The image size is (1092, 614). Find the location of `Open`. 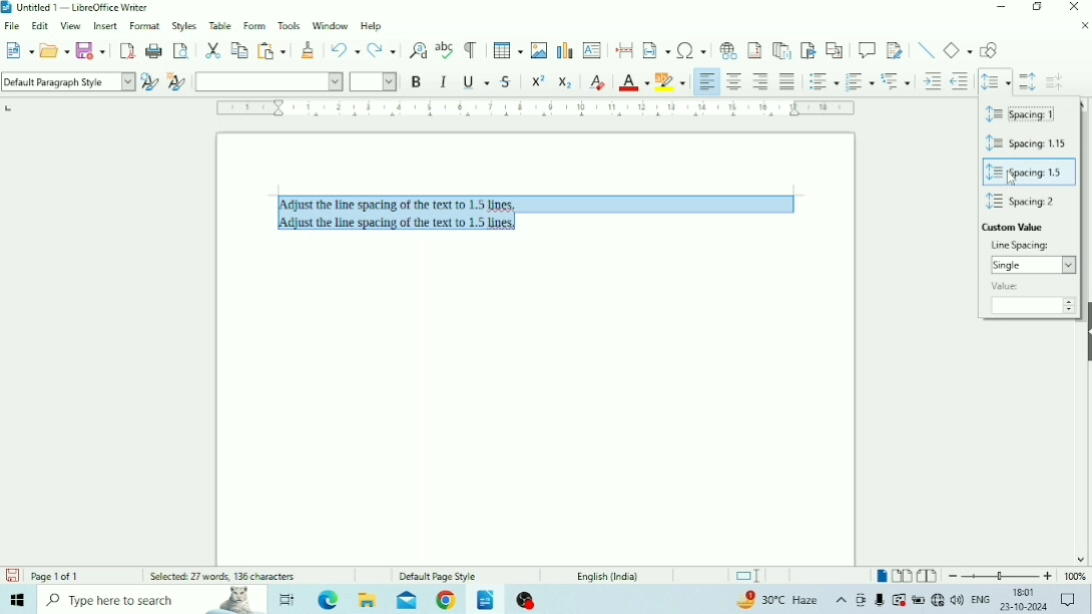

Open is located at coordinates (55, 50).